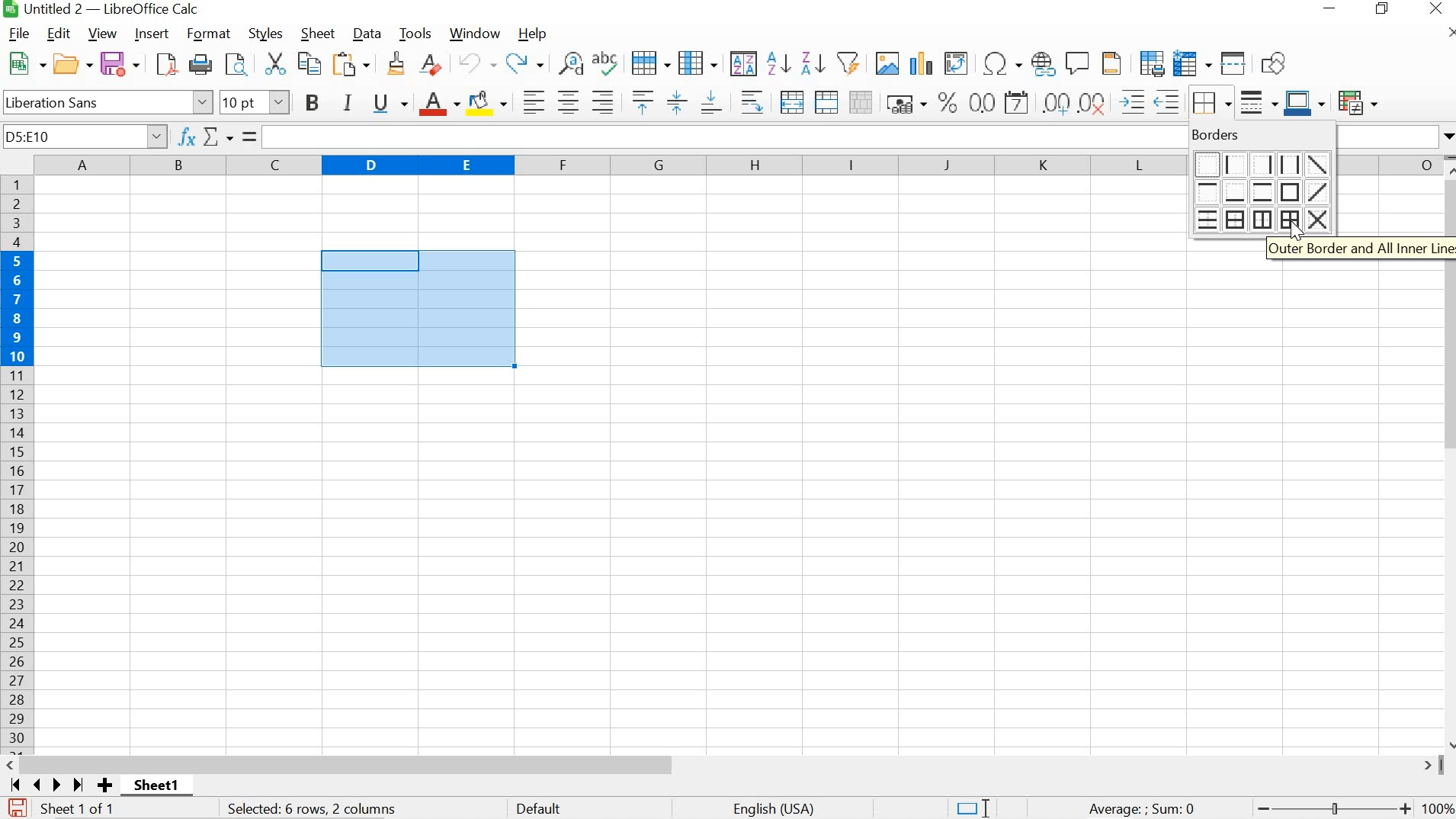 The height and width of the screenshot is (819, 1456). What do you see at coordinates (348, 102) in the screenshot?
I see `ITALIC` at bounding box center [348, 102].